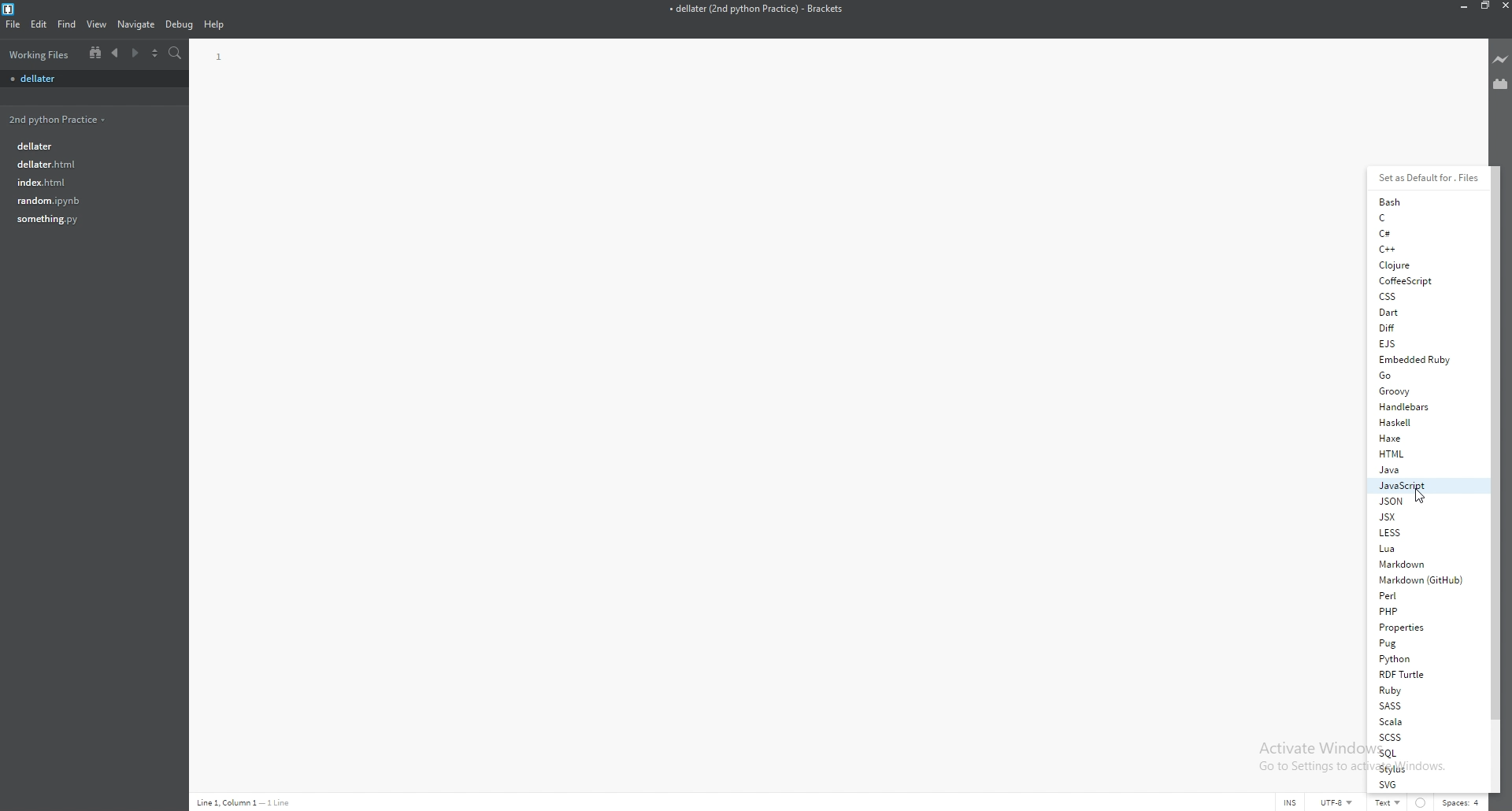 Image resolution: width=1512 pixels, height=811 pixels. What do you see at coordinates (175, 53) in the screenshot?
I see `search` at bounding box center [175, 53].